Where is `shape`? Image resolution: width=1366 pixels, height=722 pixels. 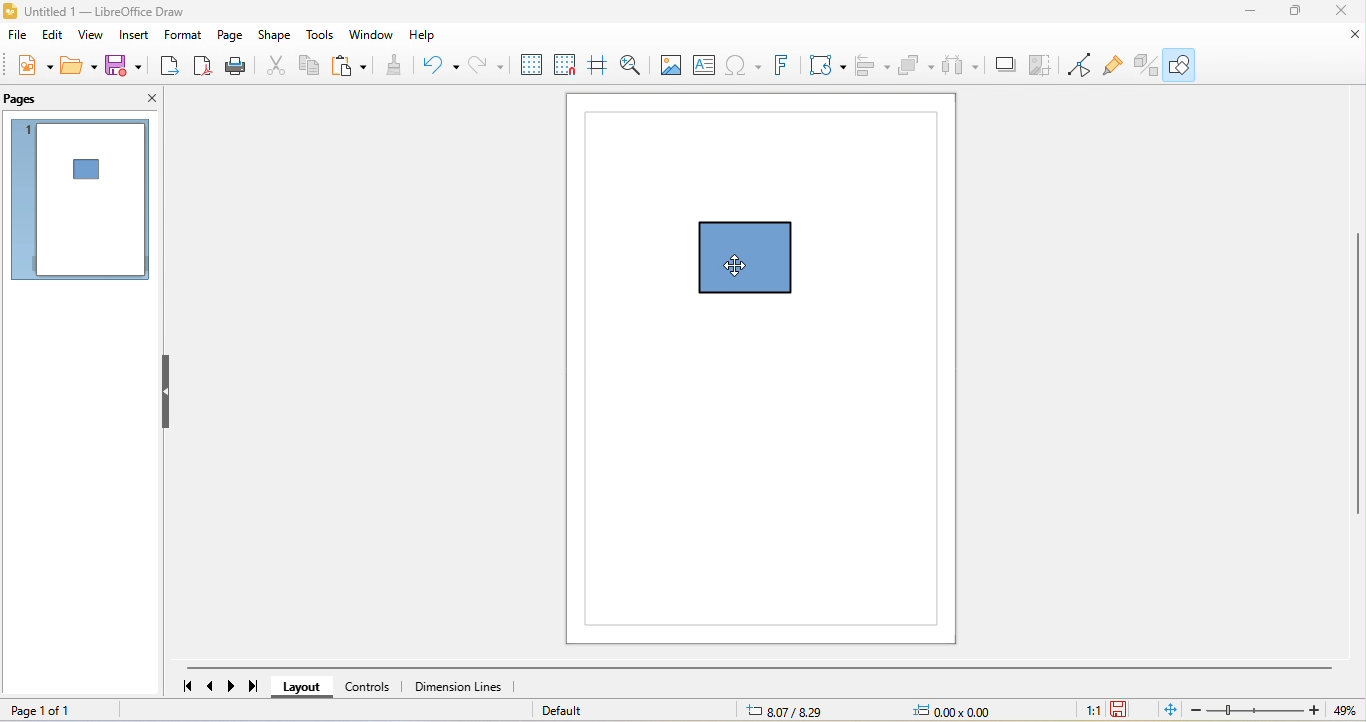 shape is located at coordinates (763, 264).